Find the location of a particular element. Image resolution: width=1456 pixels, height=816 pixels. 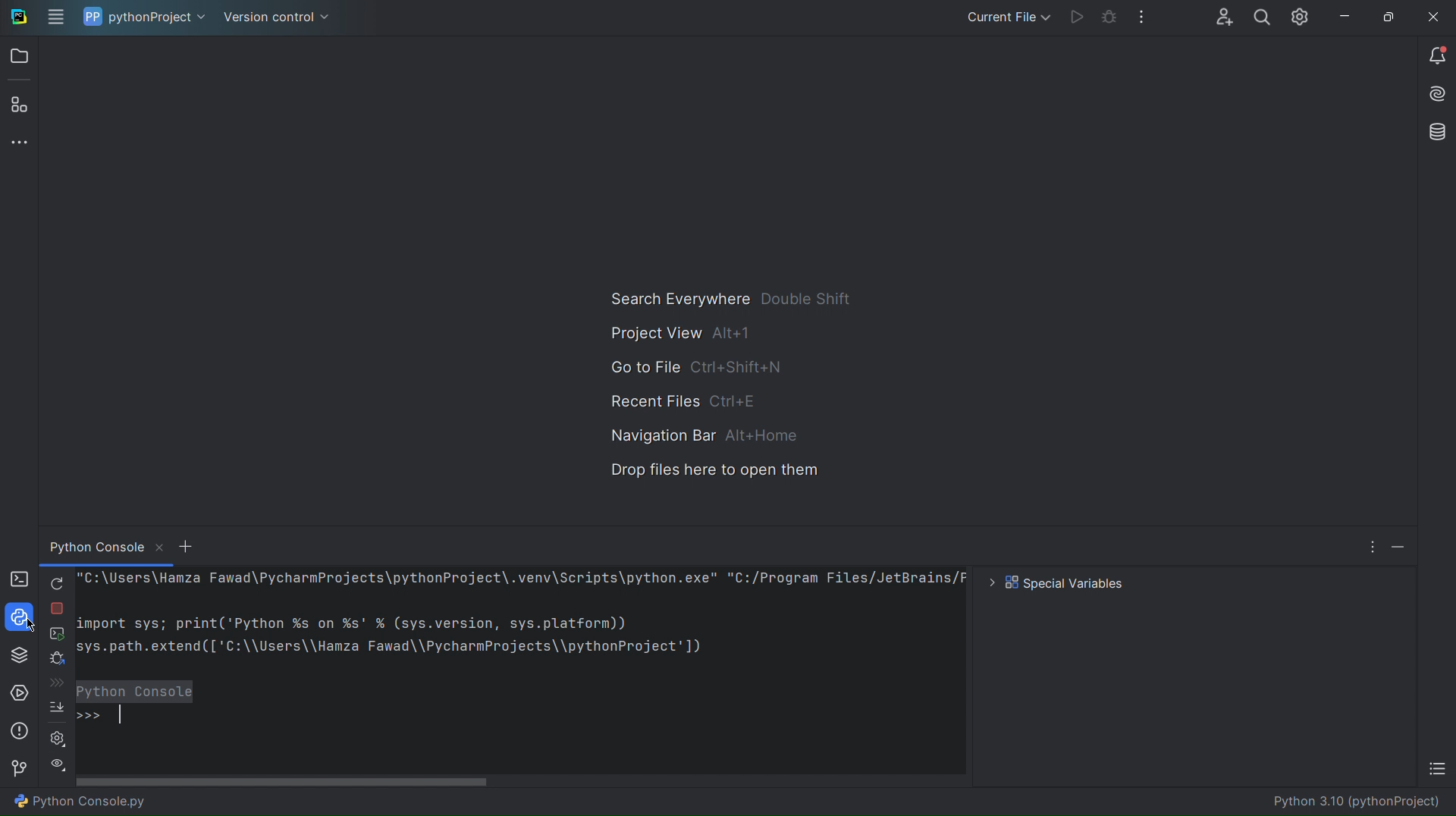

Special Variables is located at coordinates (1053, 582).